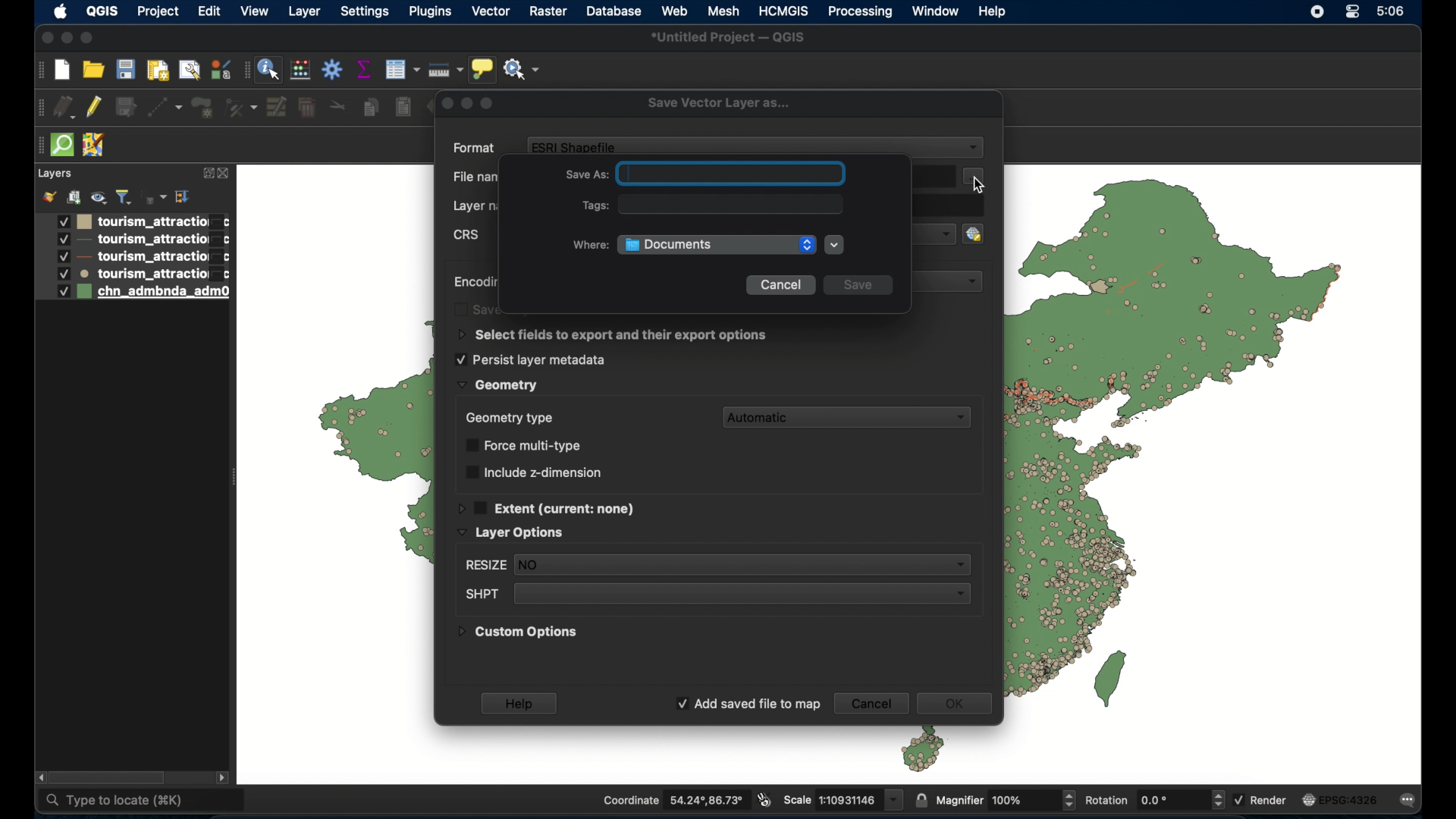  I want to click on filter legend, so click(124, 197).